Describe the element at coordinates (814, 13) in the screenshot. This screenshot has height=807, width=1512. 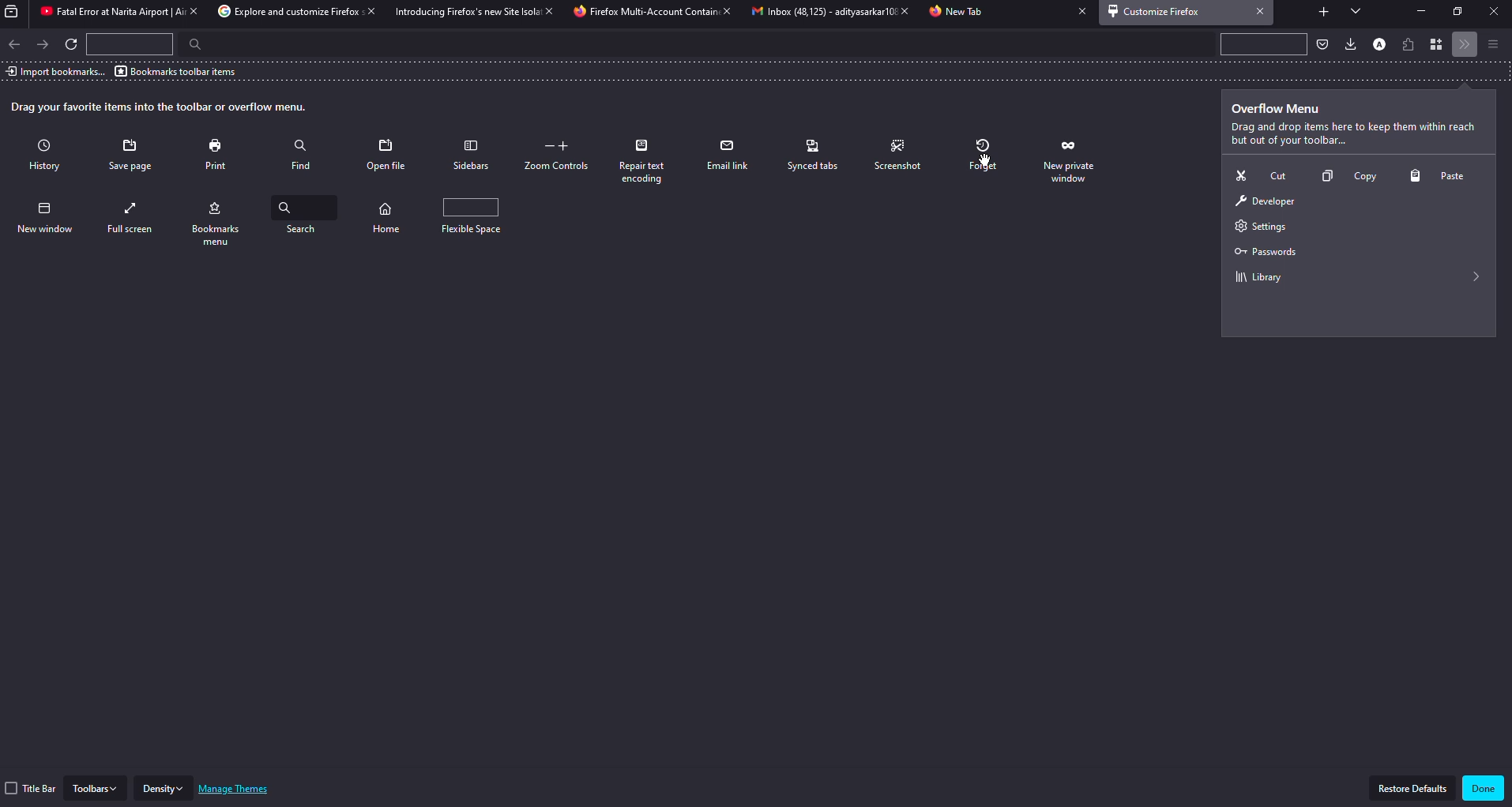
I see `tab` at that location.